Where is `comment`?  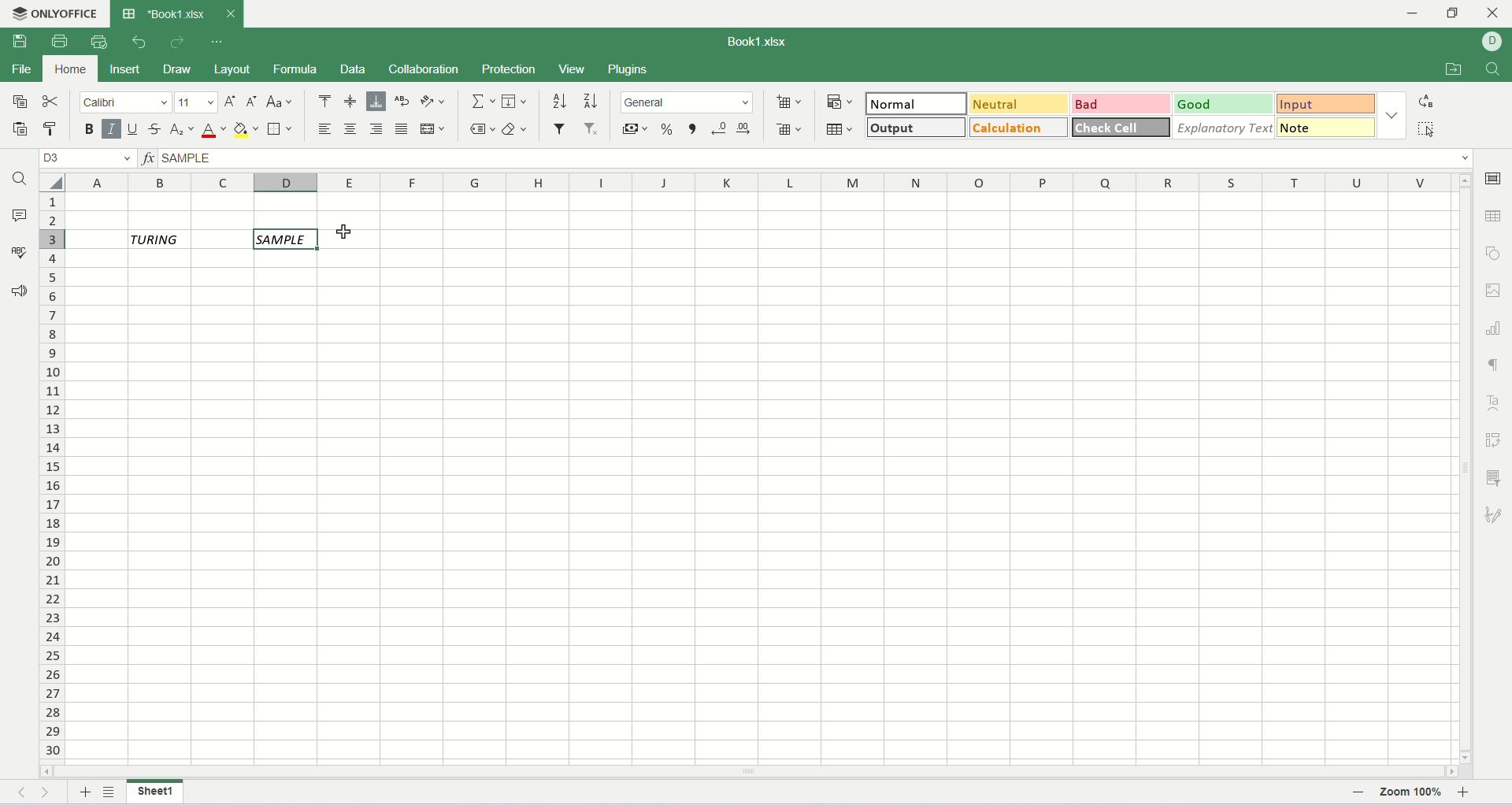 comment is located at coordinates (18, 214).